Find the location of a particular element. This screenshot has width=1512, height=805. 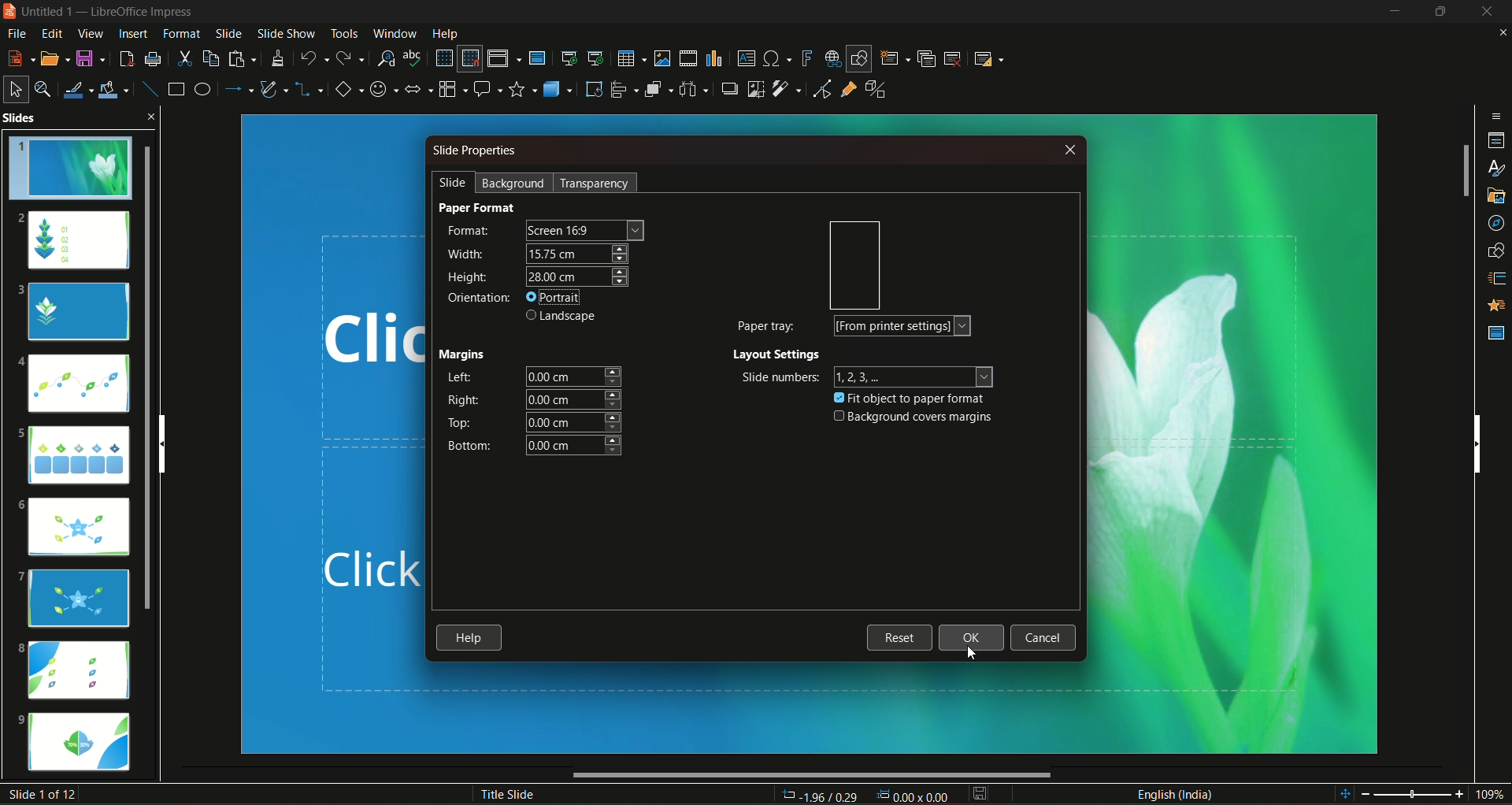

stars and banners is located at coordinates (523, 88).